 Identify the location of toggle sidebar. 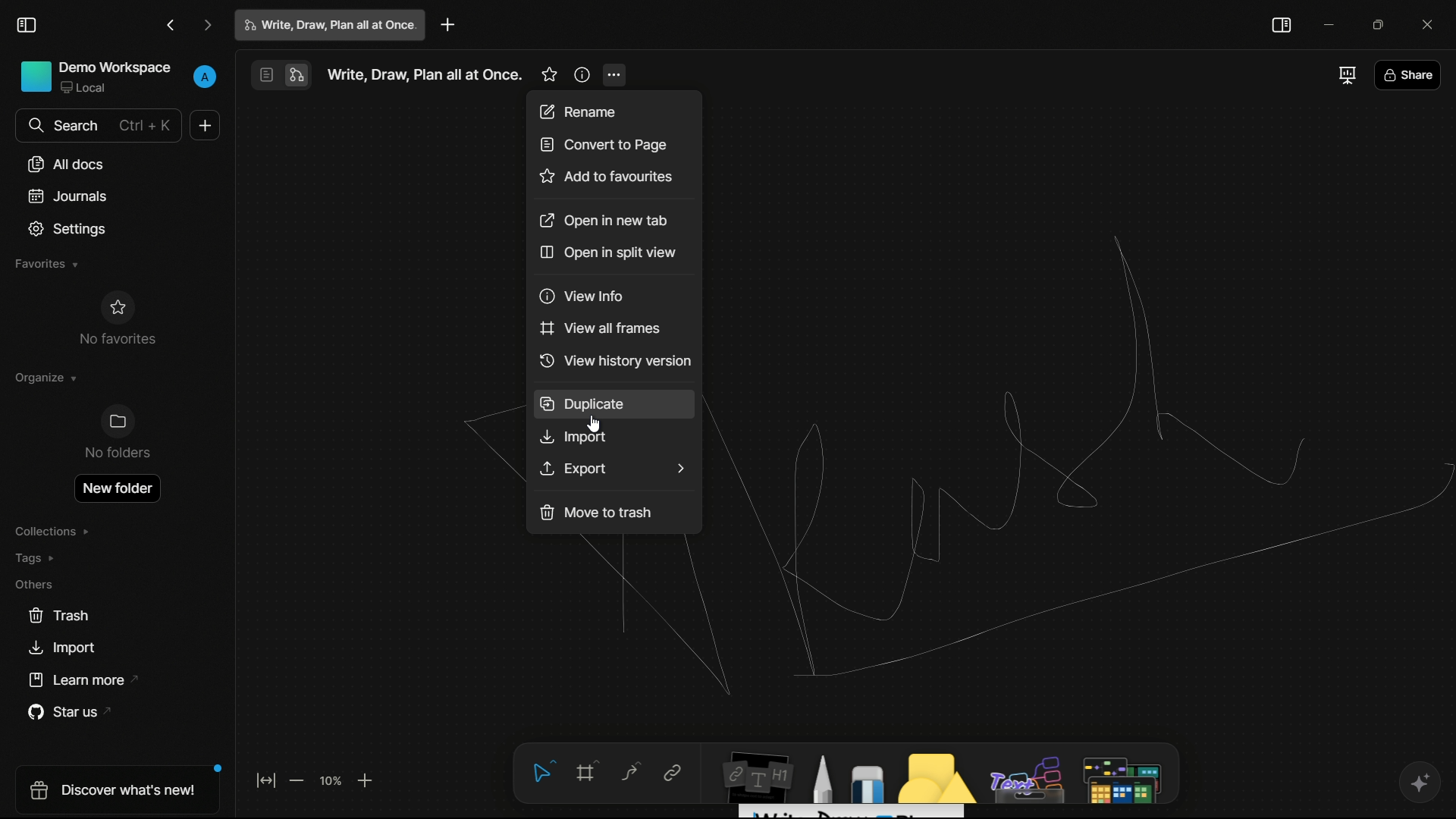
(1280, 27).